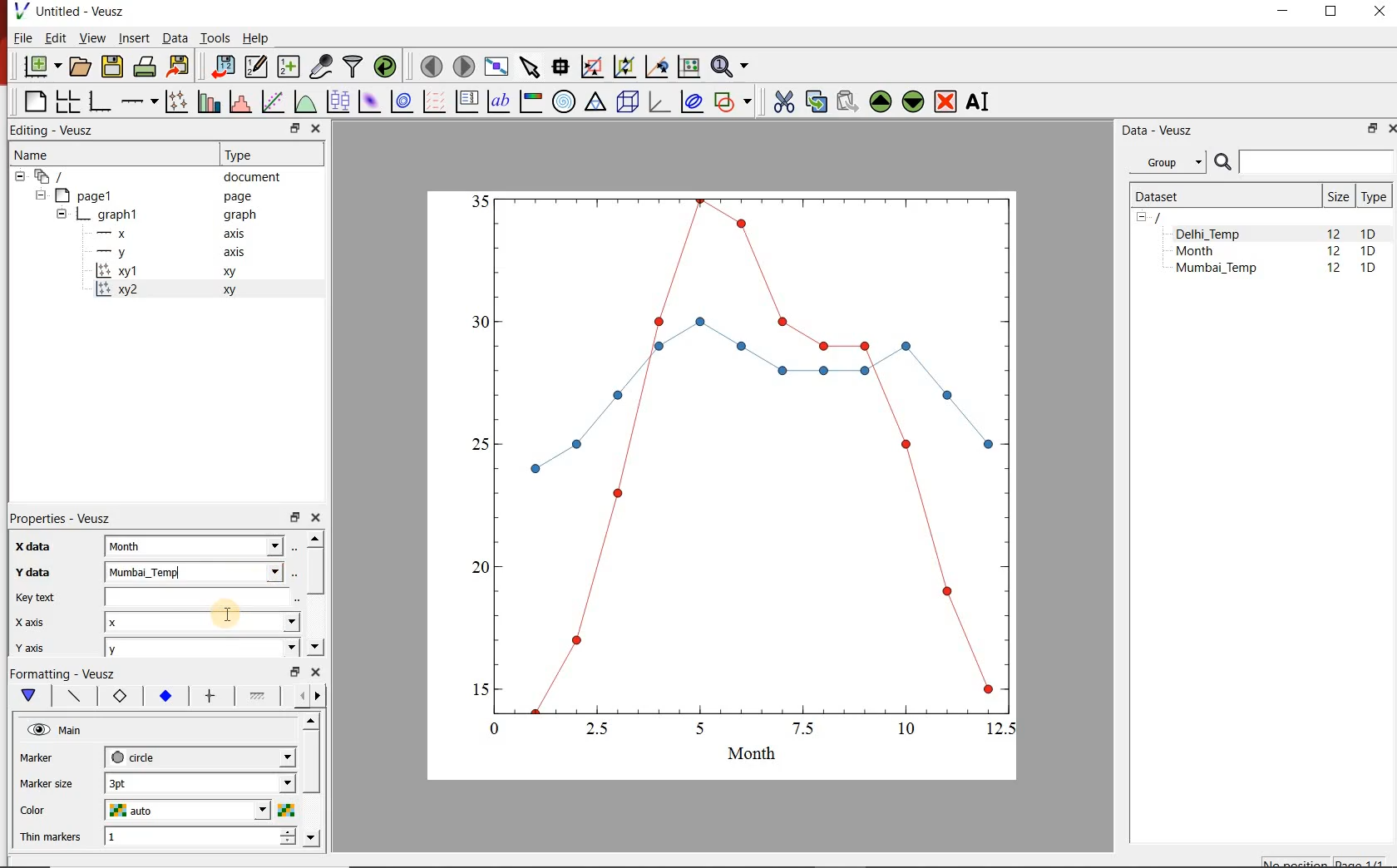  Describe the element at coordinates (1284, 12) in the screenshot. I see `MINIMIZE` at that location.